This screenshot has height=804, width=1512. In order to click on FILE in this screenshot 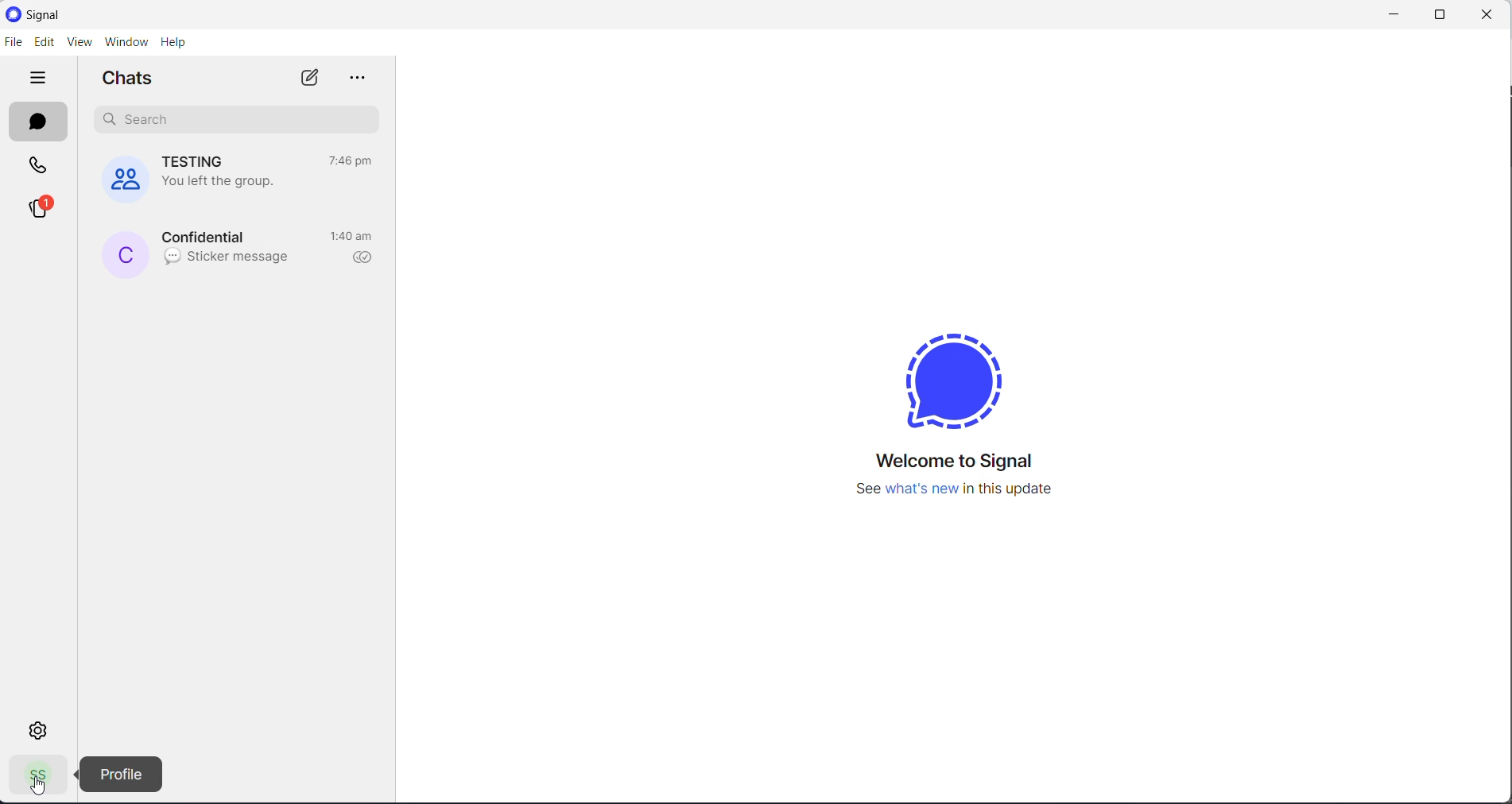, I will do `click(13, 42)`.